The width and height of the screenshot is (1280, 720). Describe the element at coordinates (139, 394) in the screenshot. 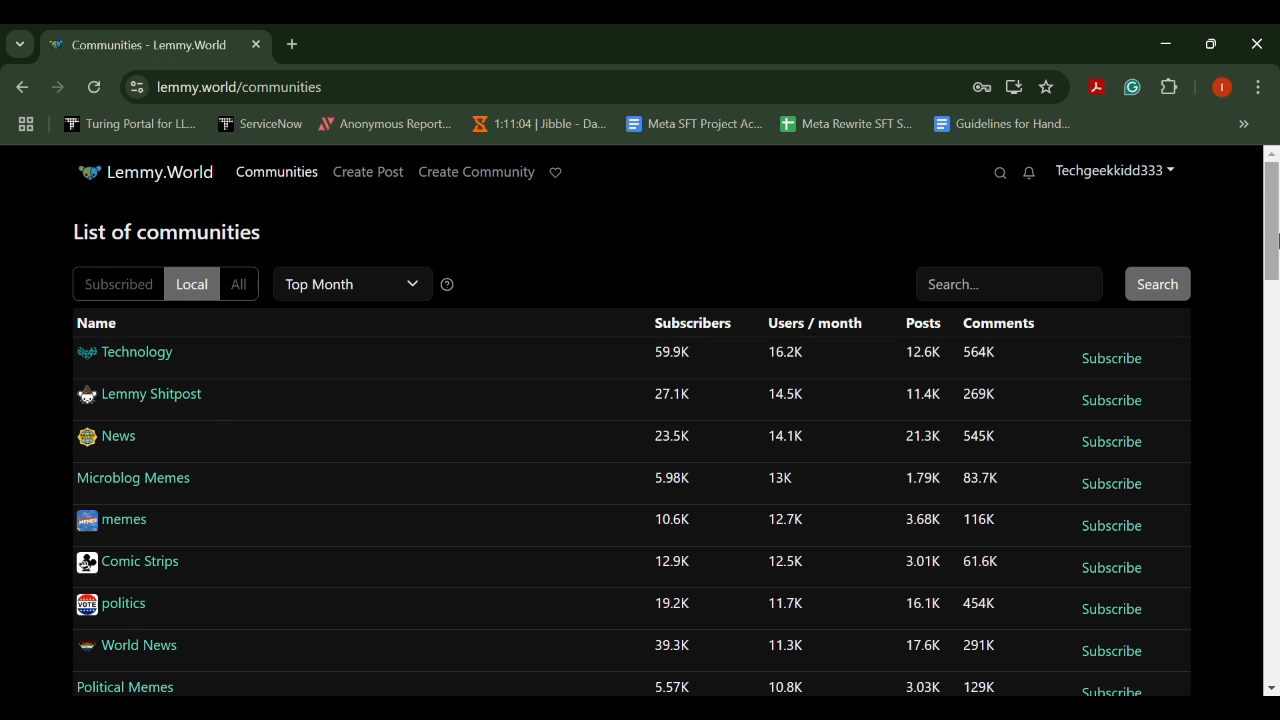

I see `Lemmy Shitpost` at that location.